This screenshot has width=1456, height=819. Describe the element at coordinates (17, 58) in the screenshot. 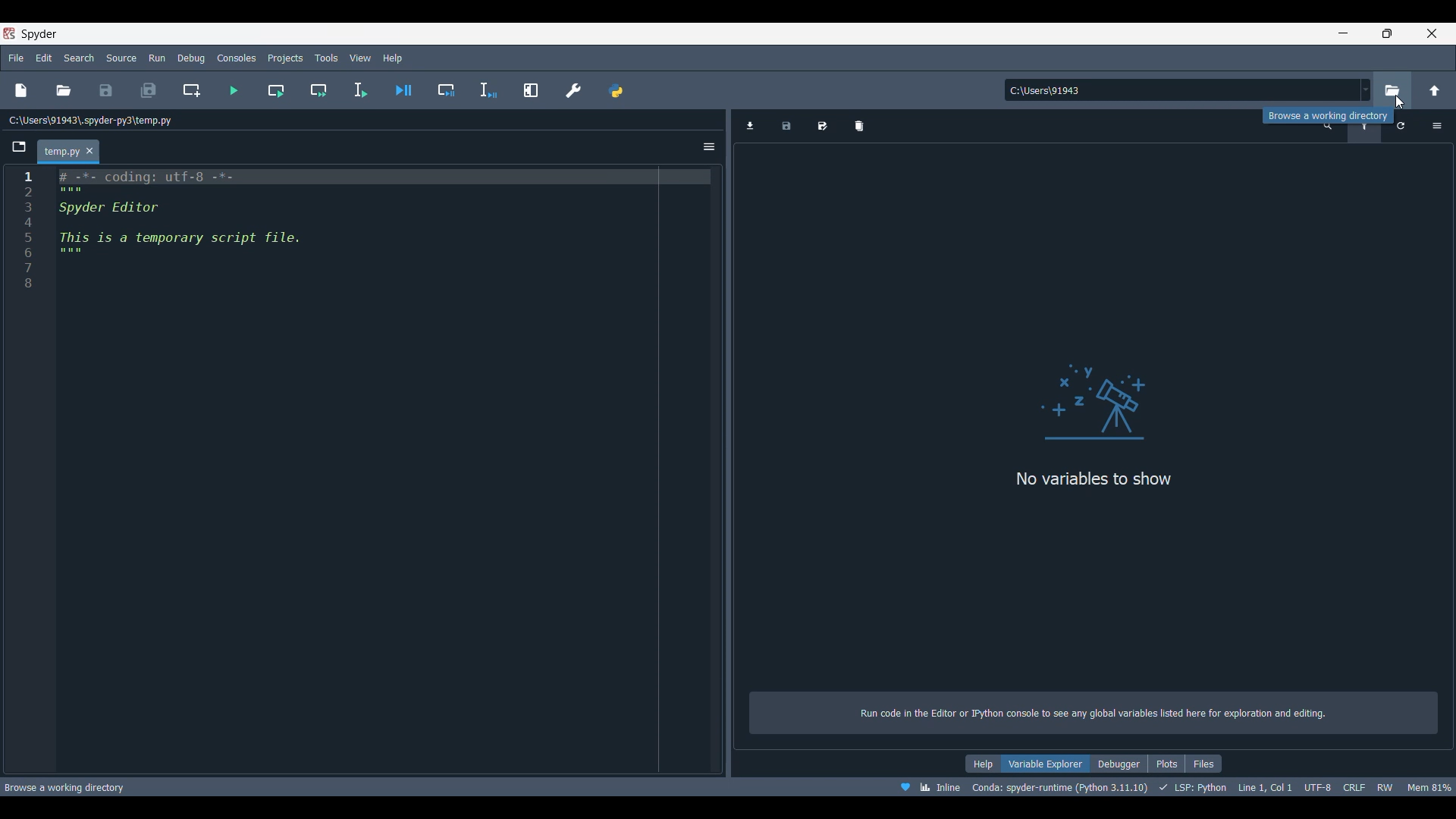

I see `File menu` at that location.